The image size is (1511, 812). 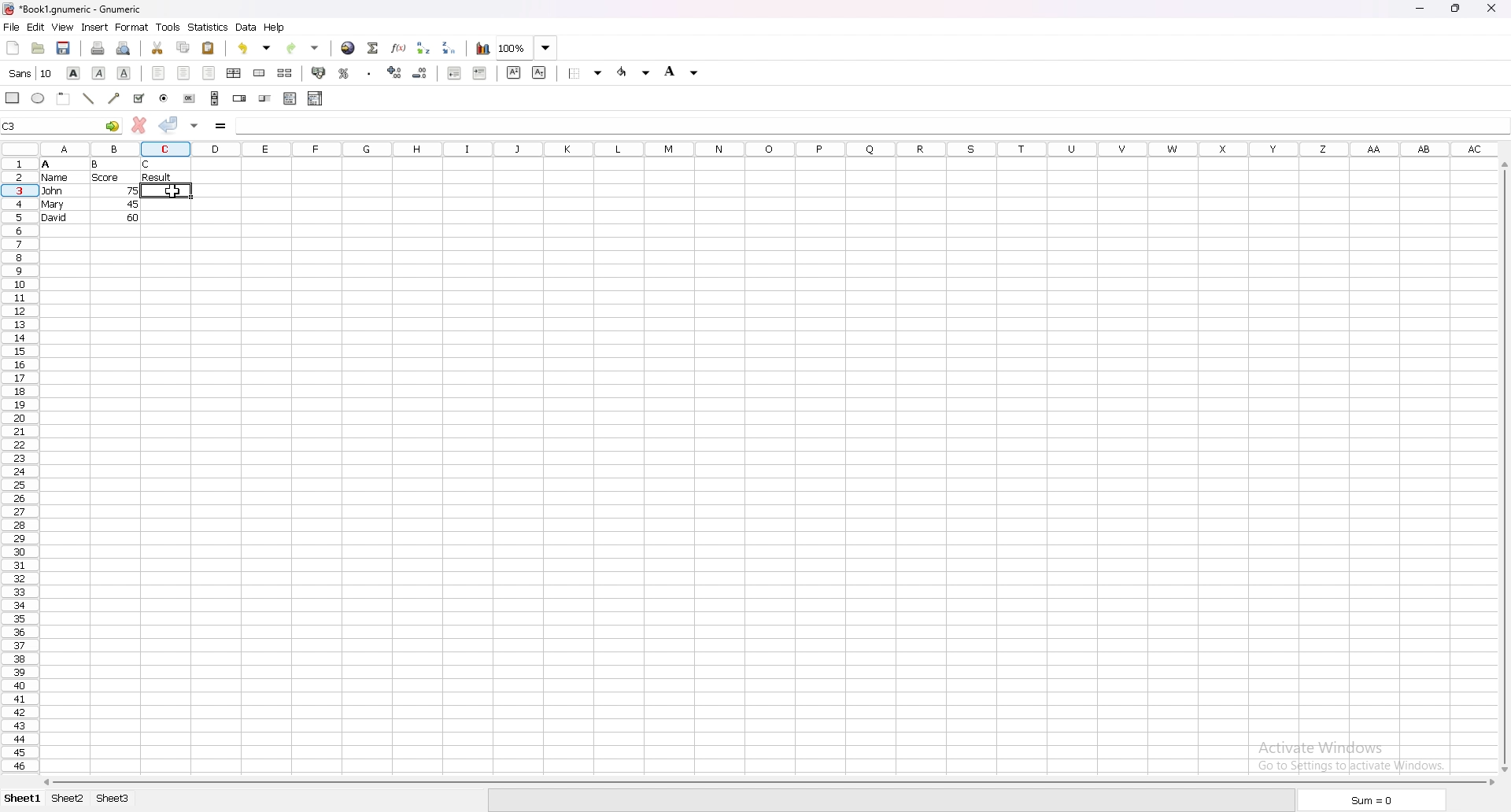 What do you see at coordinates (13, 48) in the screenshot?
I see `new` at bounding box center [13, 48].